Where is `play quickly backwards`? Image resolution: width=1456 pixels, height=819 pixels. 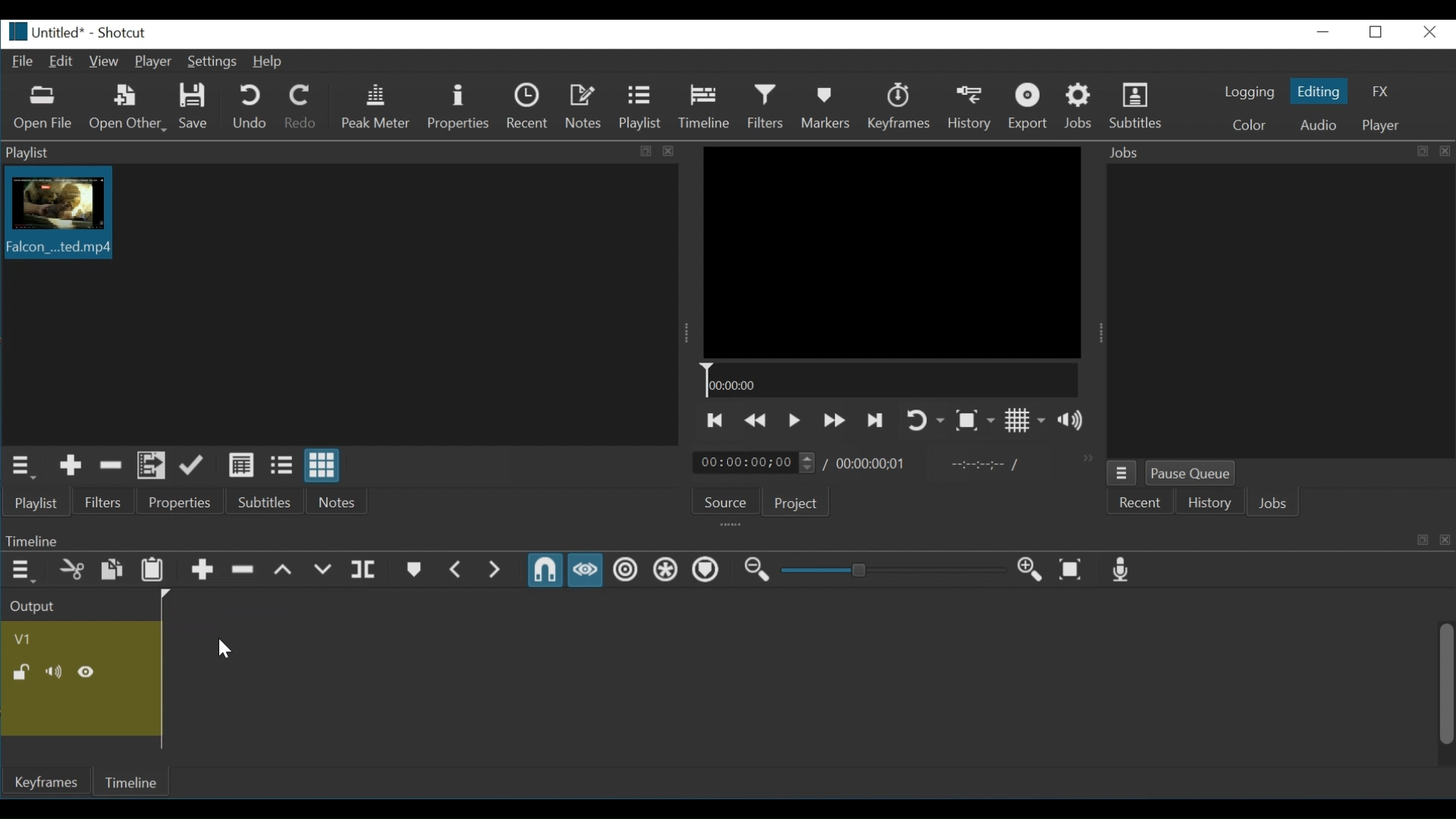 play quickly backwards is located at coordinates (753, 422).